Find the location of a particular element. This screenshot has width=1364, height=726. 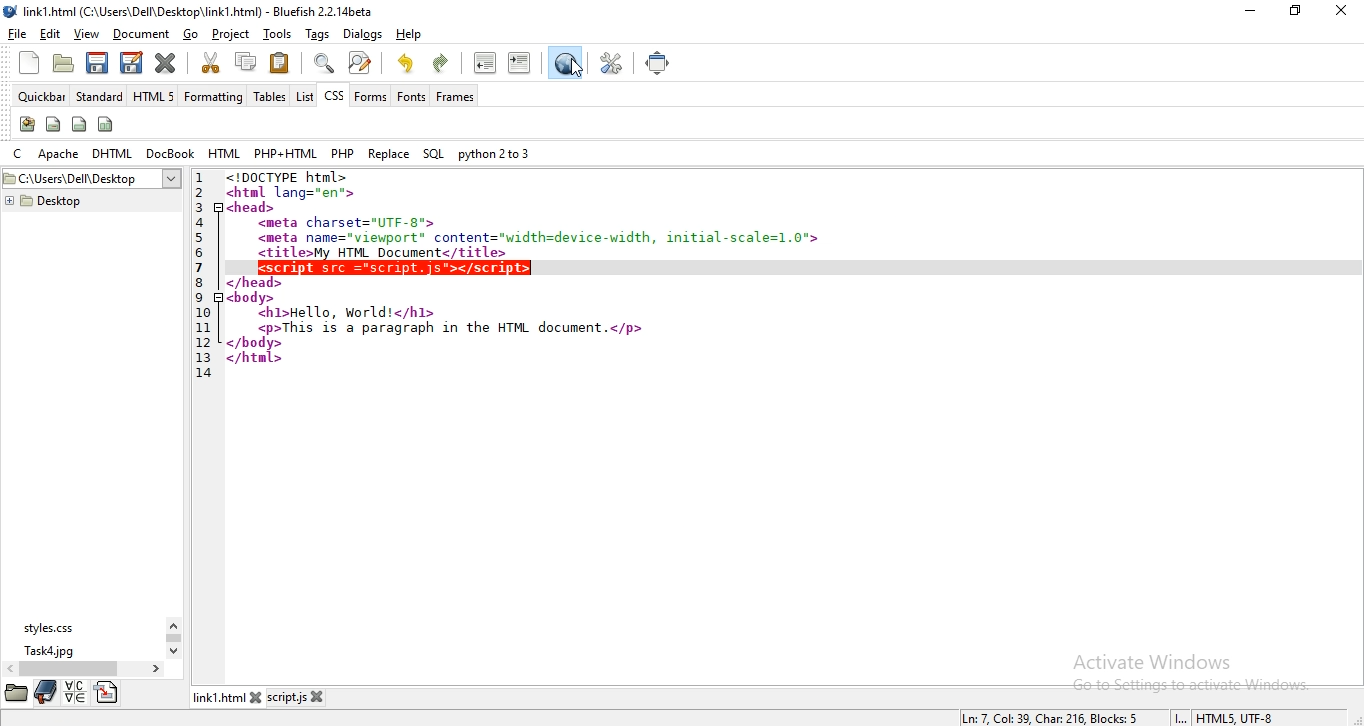

show find bar is located at coordinates (321, 63).